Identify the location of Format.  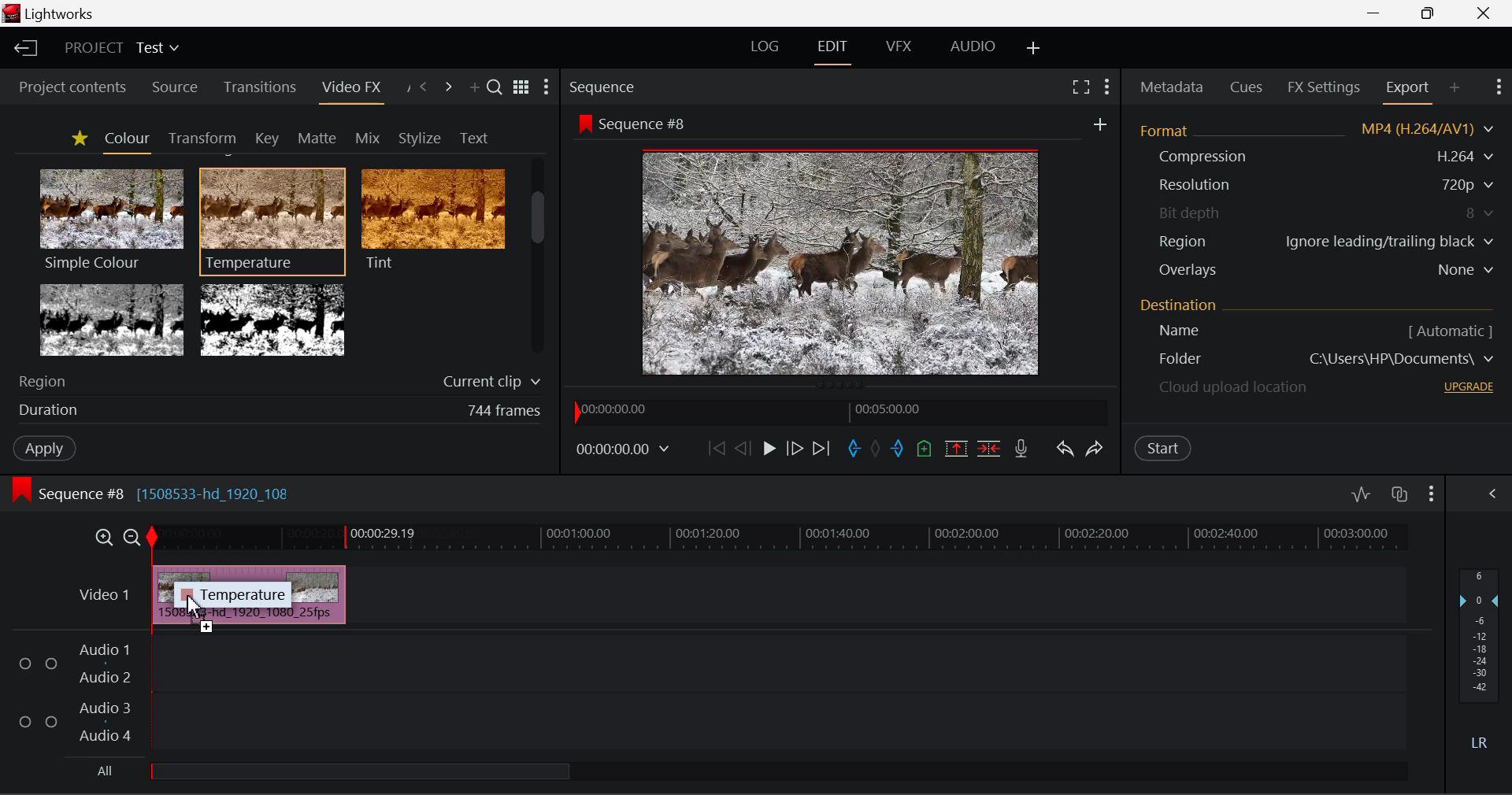
(1168, 129).